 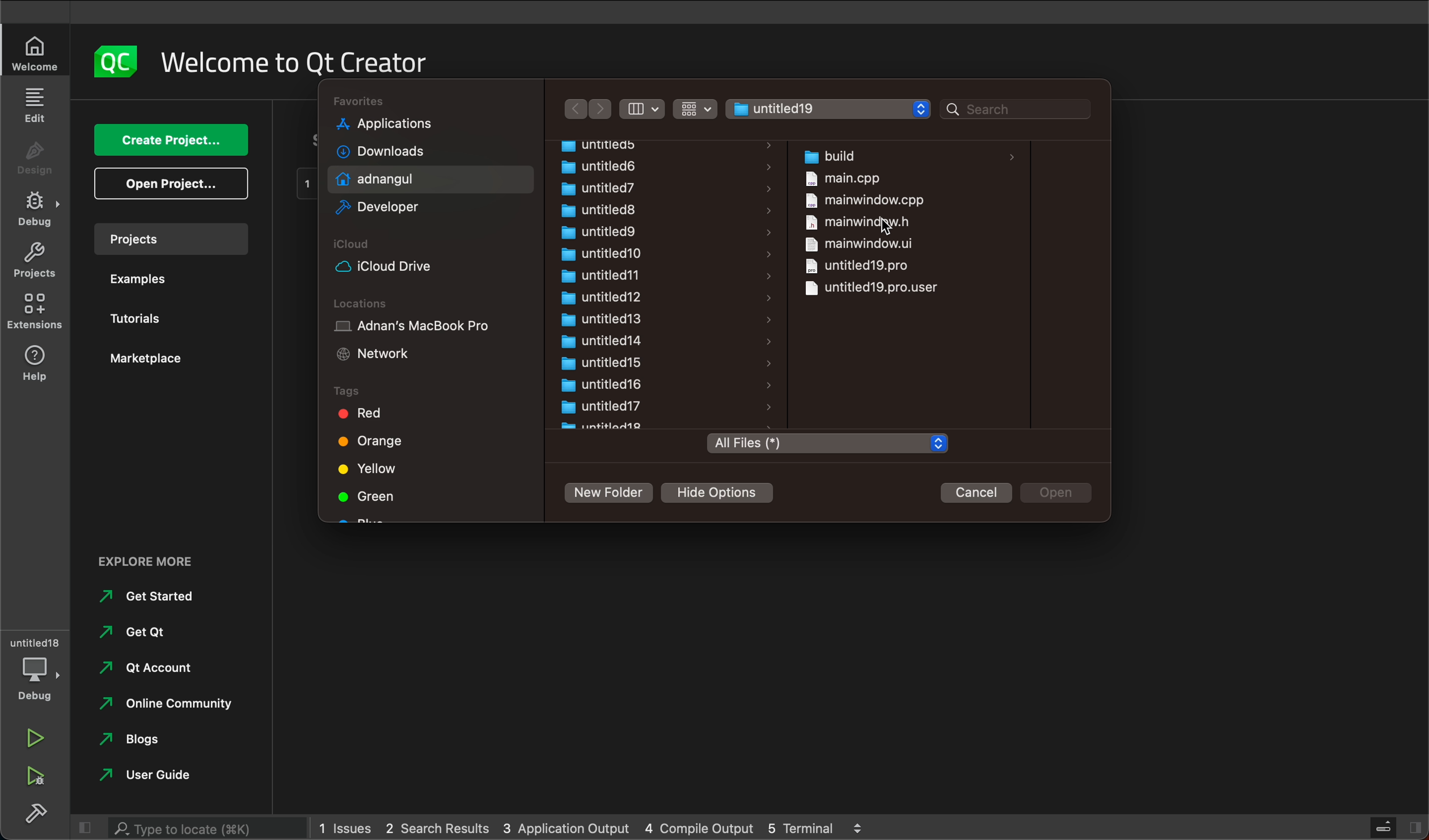 I want to click on run, so click(x=33, y=736).